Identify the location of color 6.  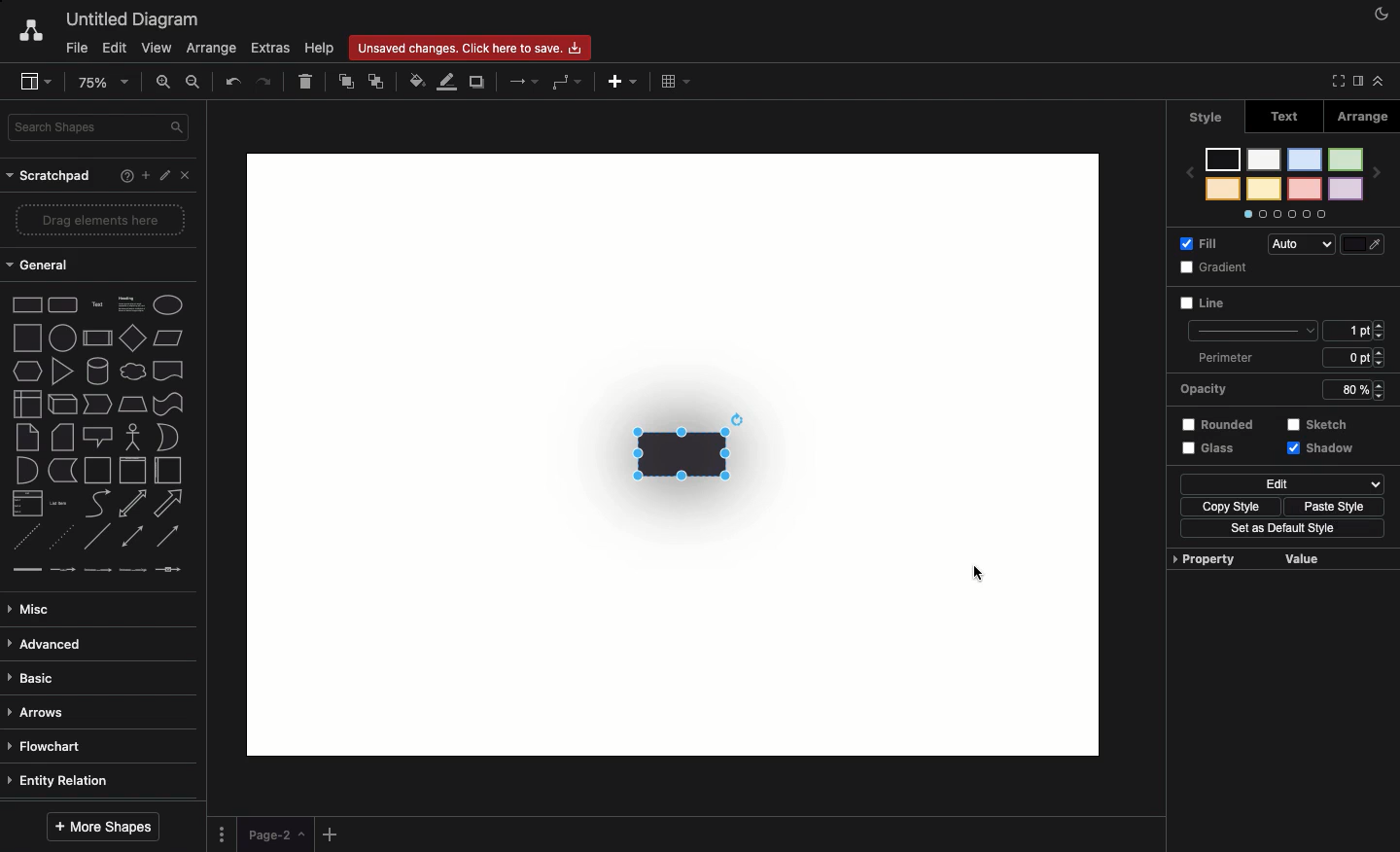
(1263, 190).